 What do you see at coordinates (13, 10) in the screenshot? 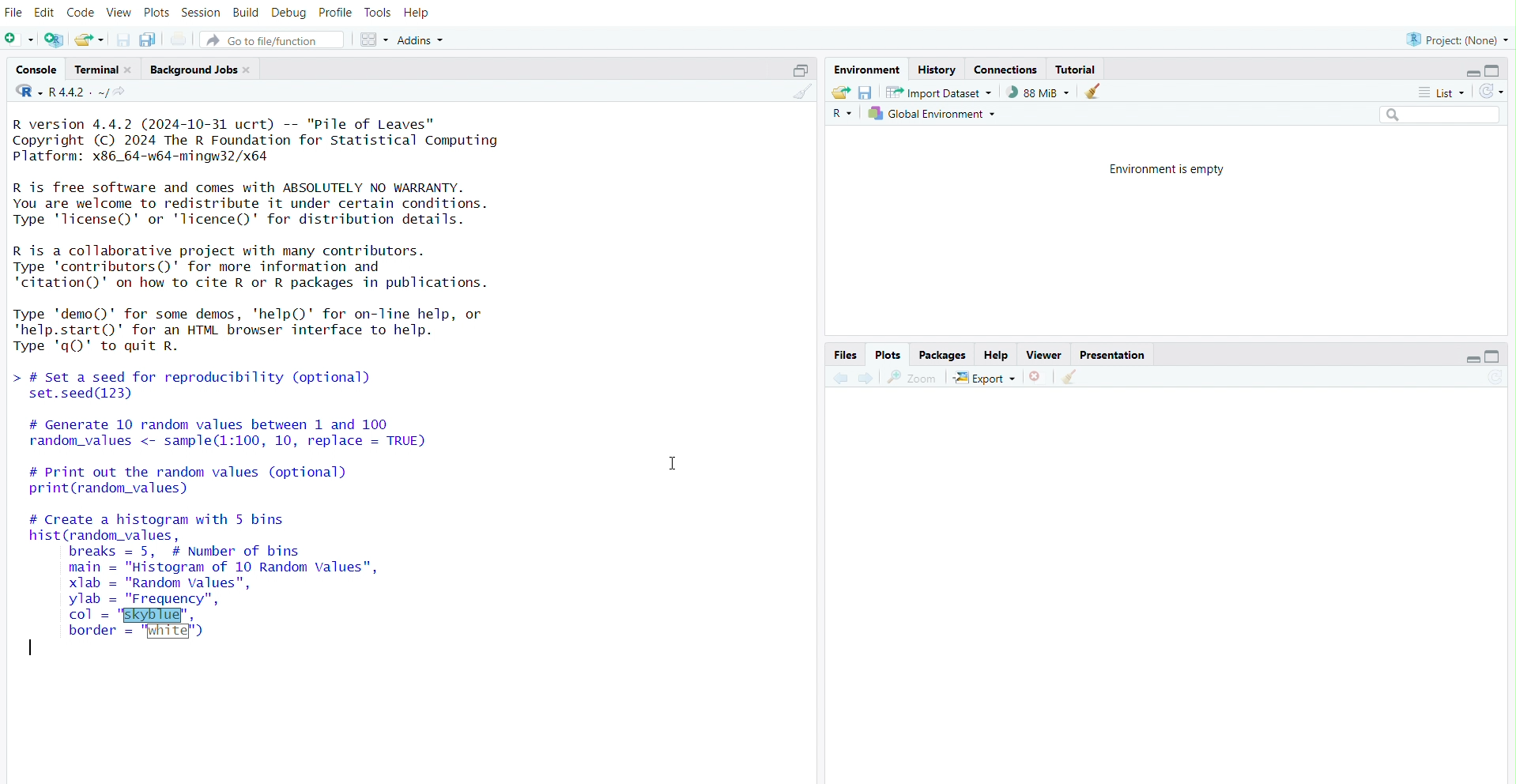
I see `file` at bounding box center [13, 10].